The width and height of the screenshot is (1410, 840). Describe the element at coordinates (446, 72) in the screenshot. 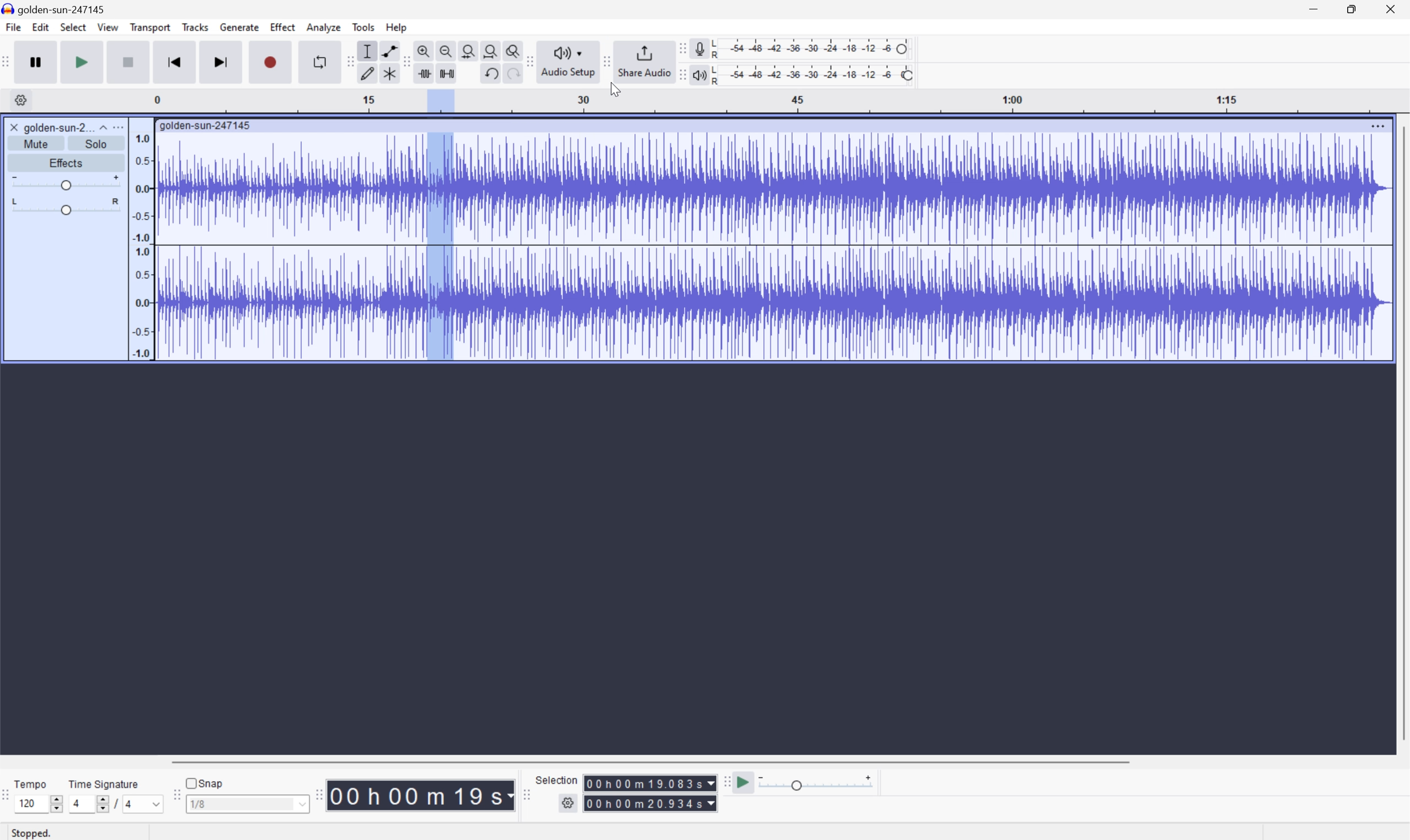

I see `Silence audio selection` at that location.